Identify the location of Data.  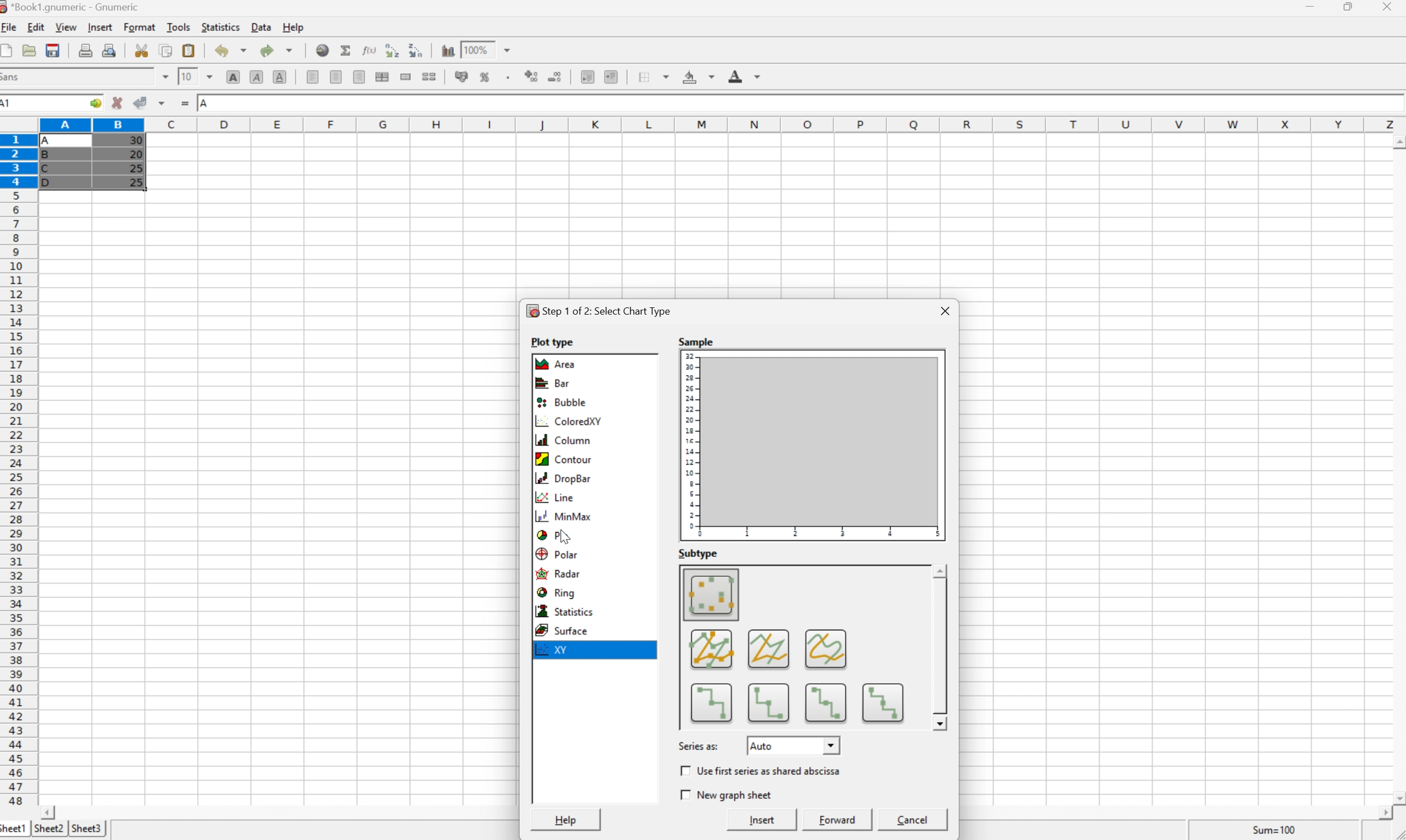
(260, 27).